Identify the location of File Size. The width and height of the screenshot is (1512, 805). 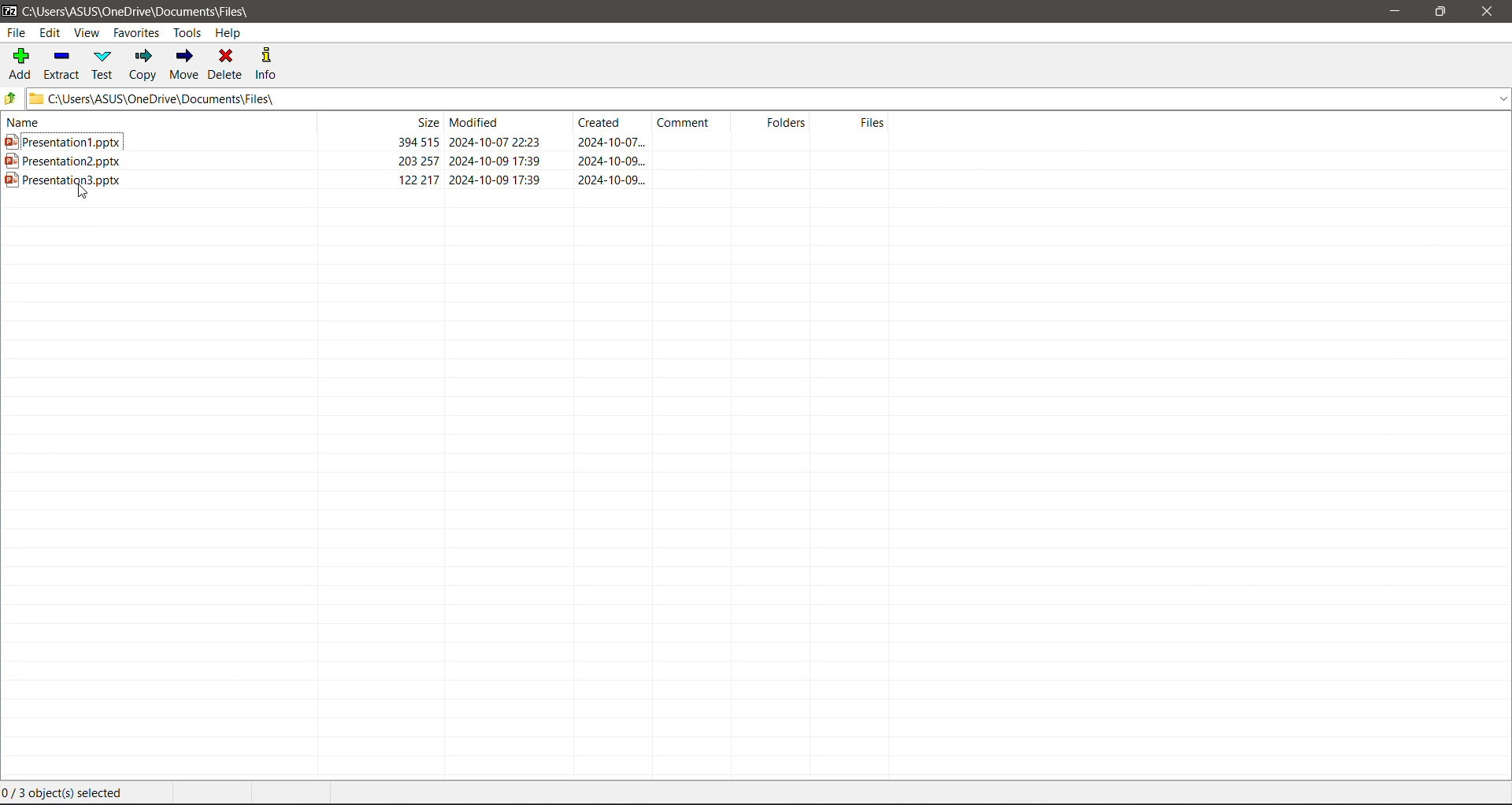
(378, 122).